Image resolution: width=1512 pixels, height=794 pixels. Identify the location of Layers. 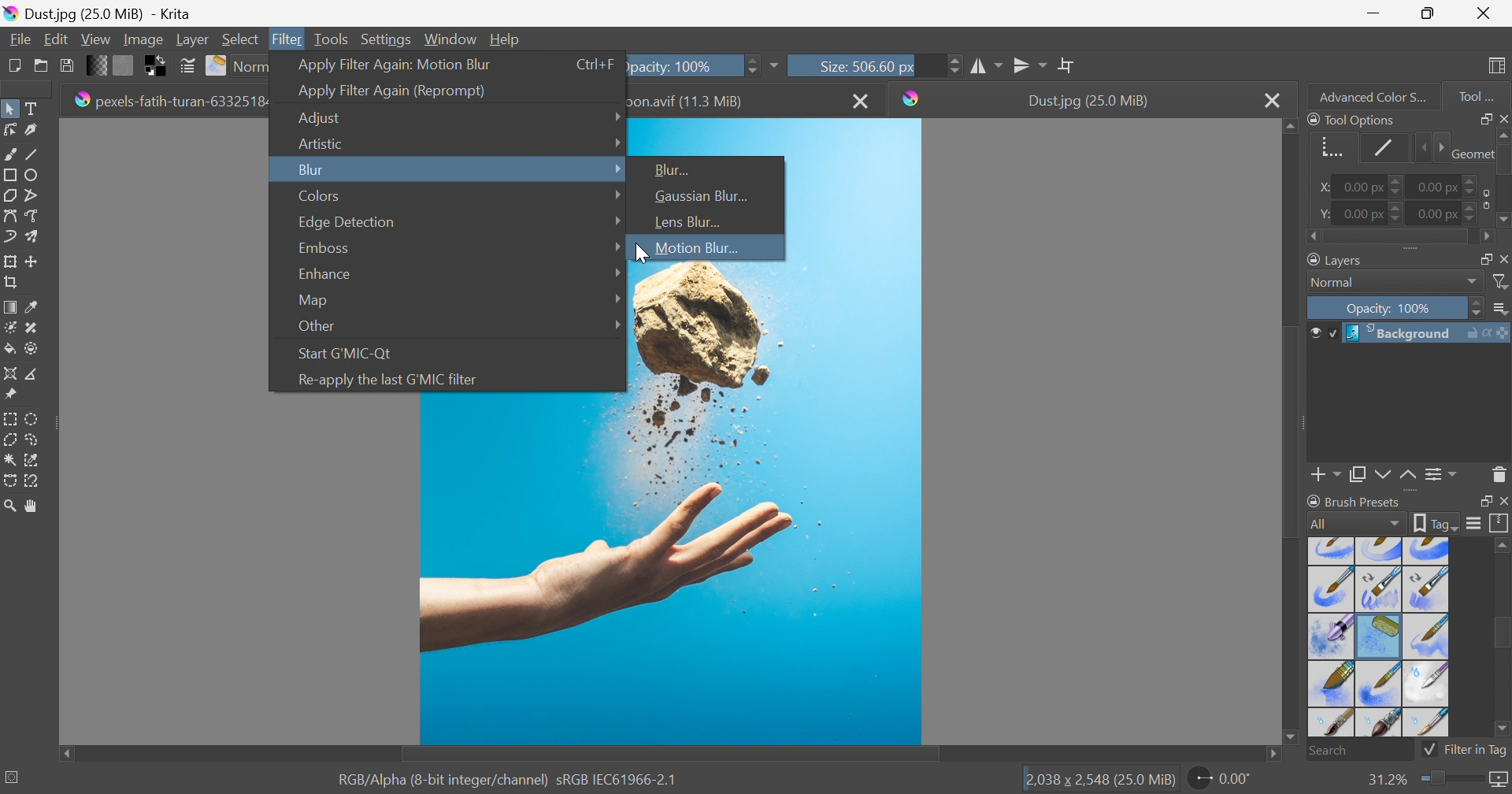
(1480, 257).